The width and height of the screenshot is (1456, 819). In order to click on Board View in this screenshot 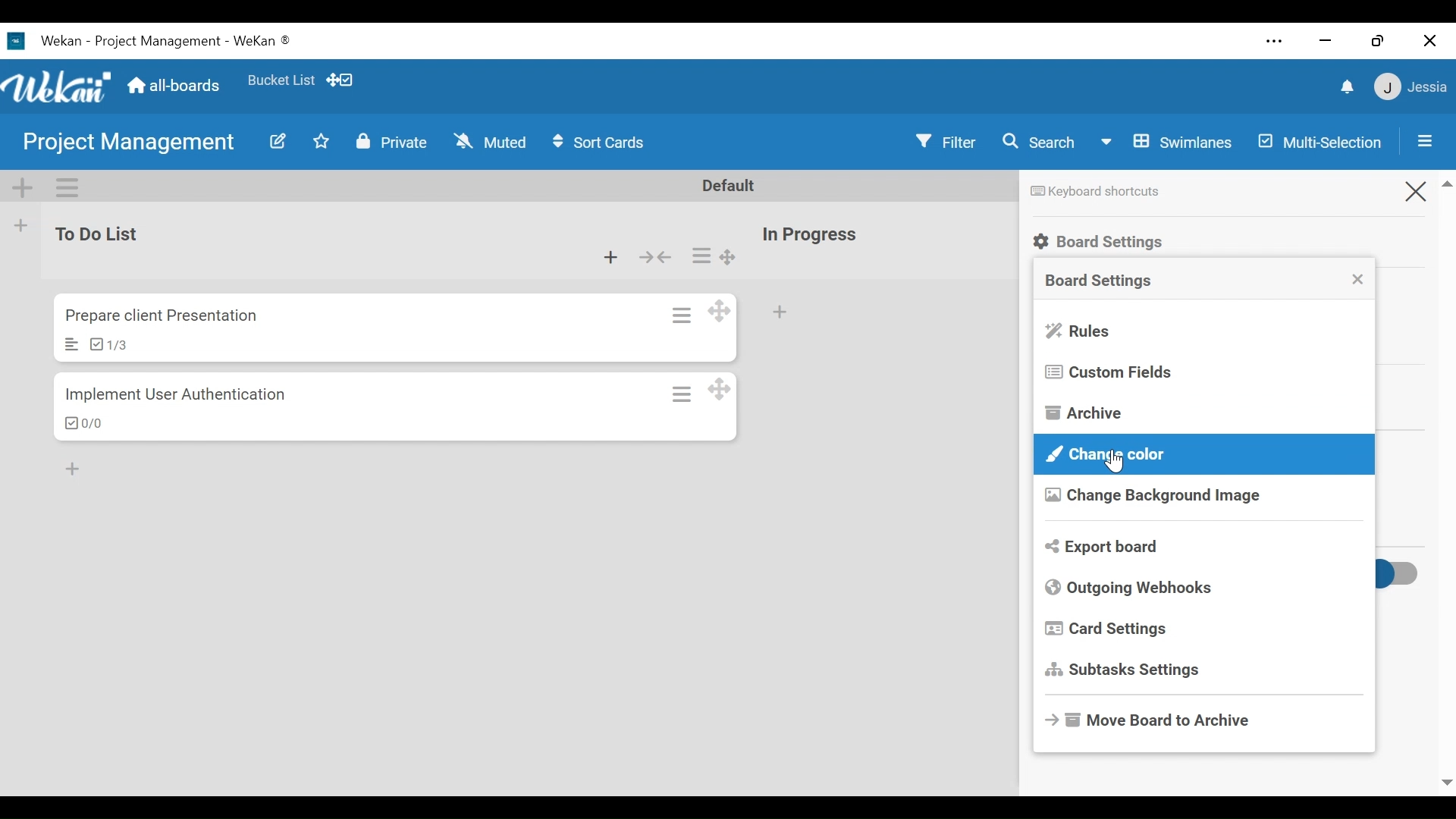, I will do `click(1167, 144)`.